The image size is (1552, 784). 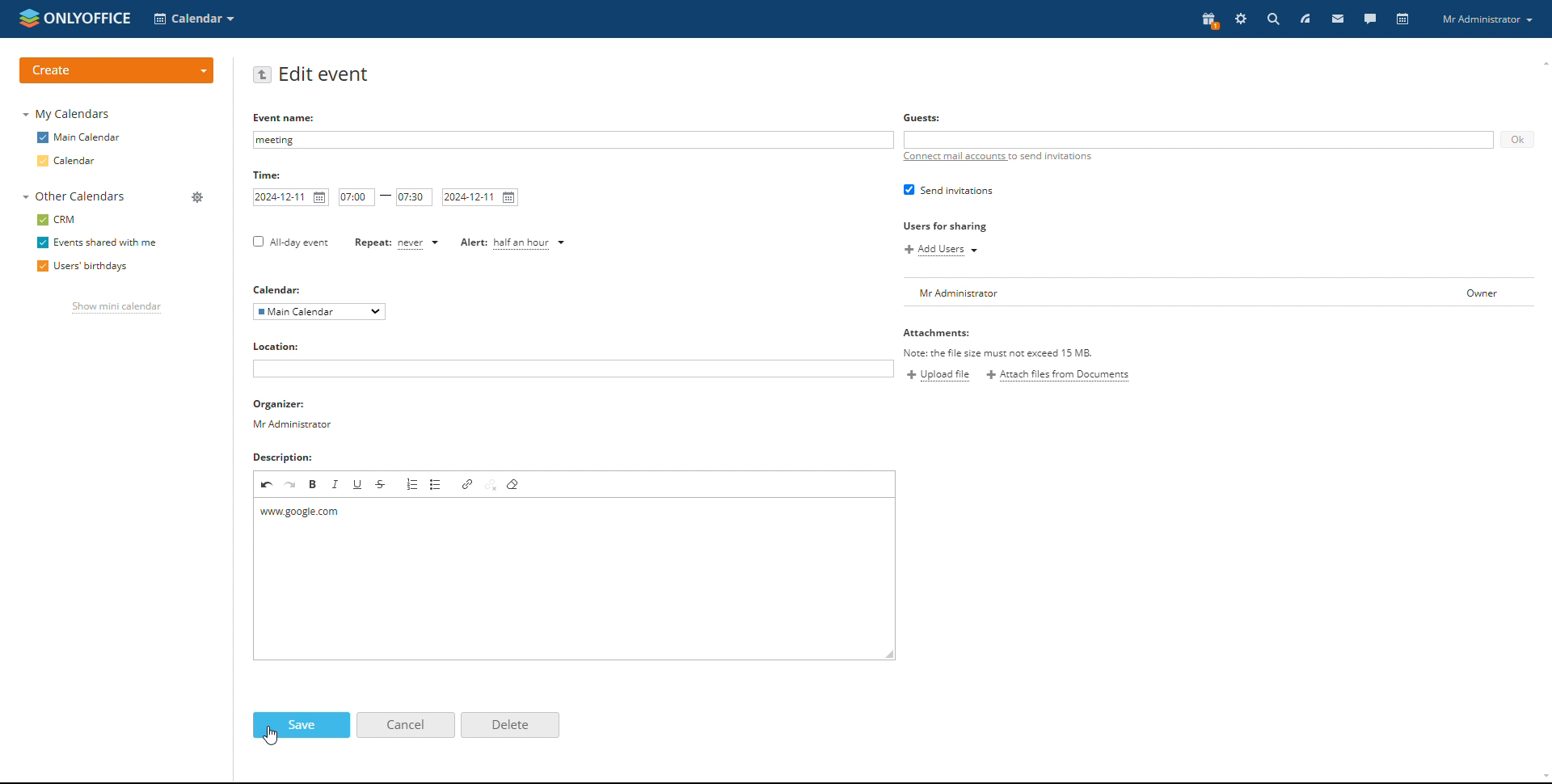 I want to click on select application, so click(x=196, y=19).